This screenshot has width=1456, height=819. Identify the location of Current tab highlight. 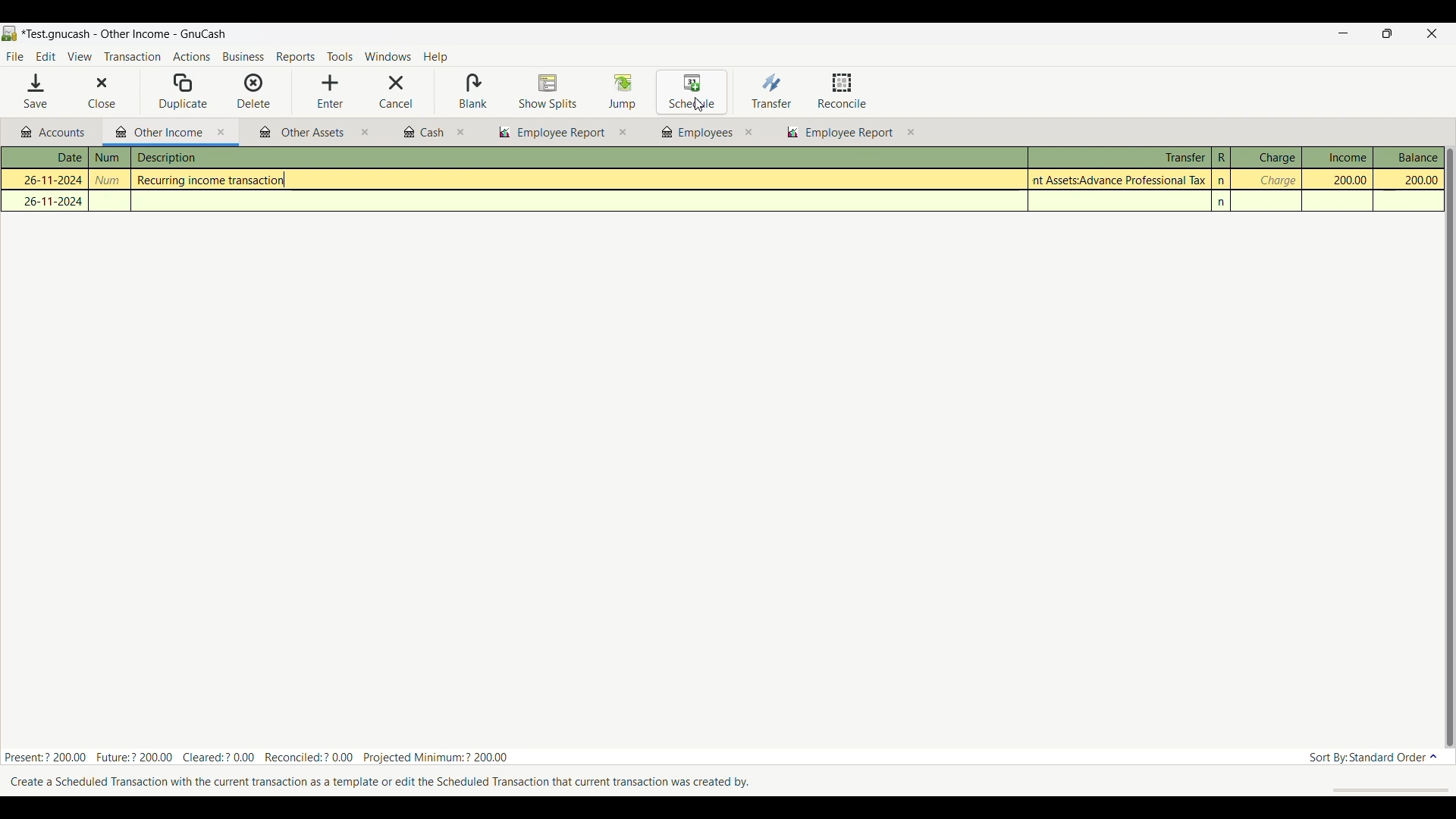
(155, 131).